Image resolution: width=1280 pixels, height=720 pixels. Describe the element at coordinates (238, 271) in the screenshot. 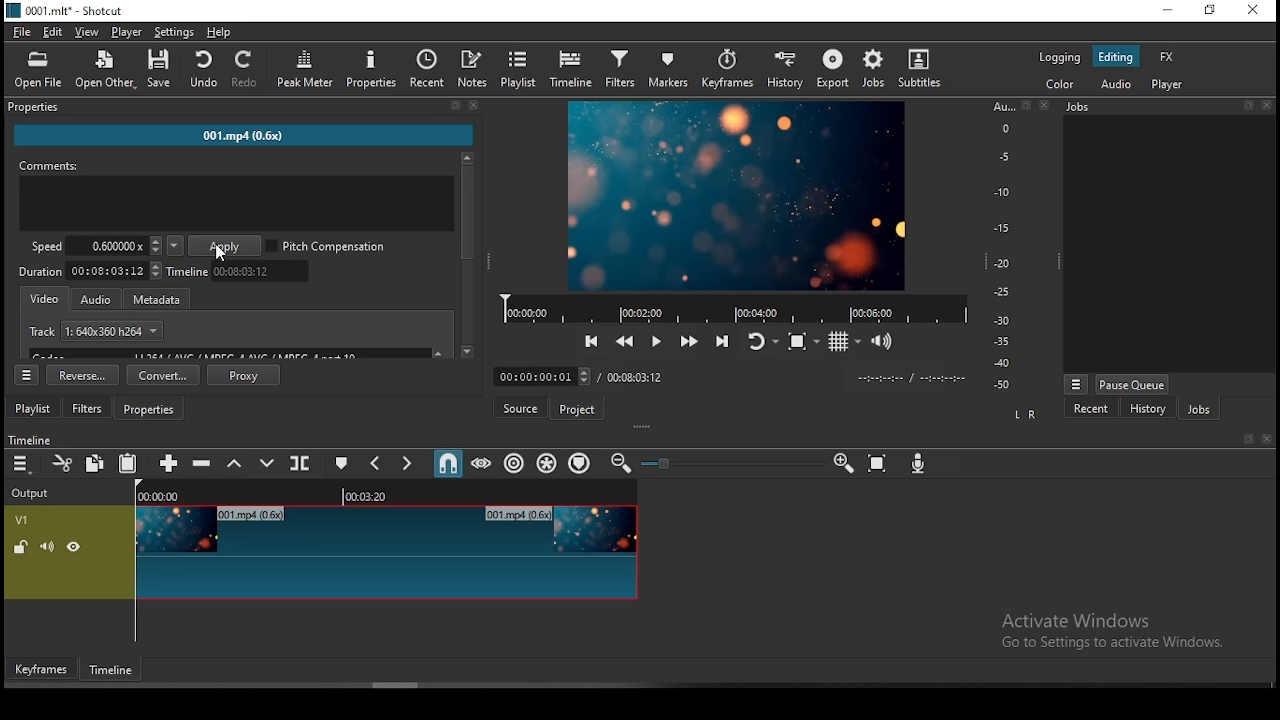

I see `timeline` at that location.